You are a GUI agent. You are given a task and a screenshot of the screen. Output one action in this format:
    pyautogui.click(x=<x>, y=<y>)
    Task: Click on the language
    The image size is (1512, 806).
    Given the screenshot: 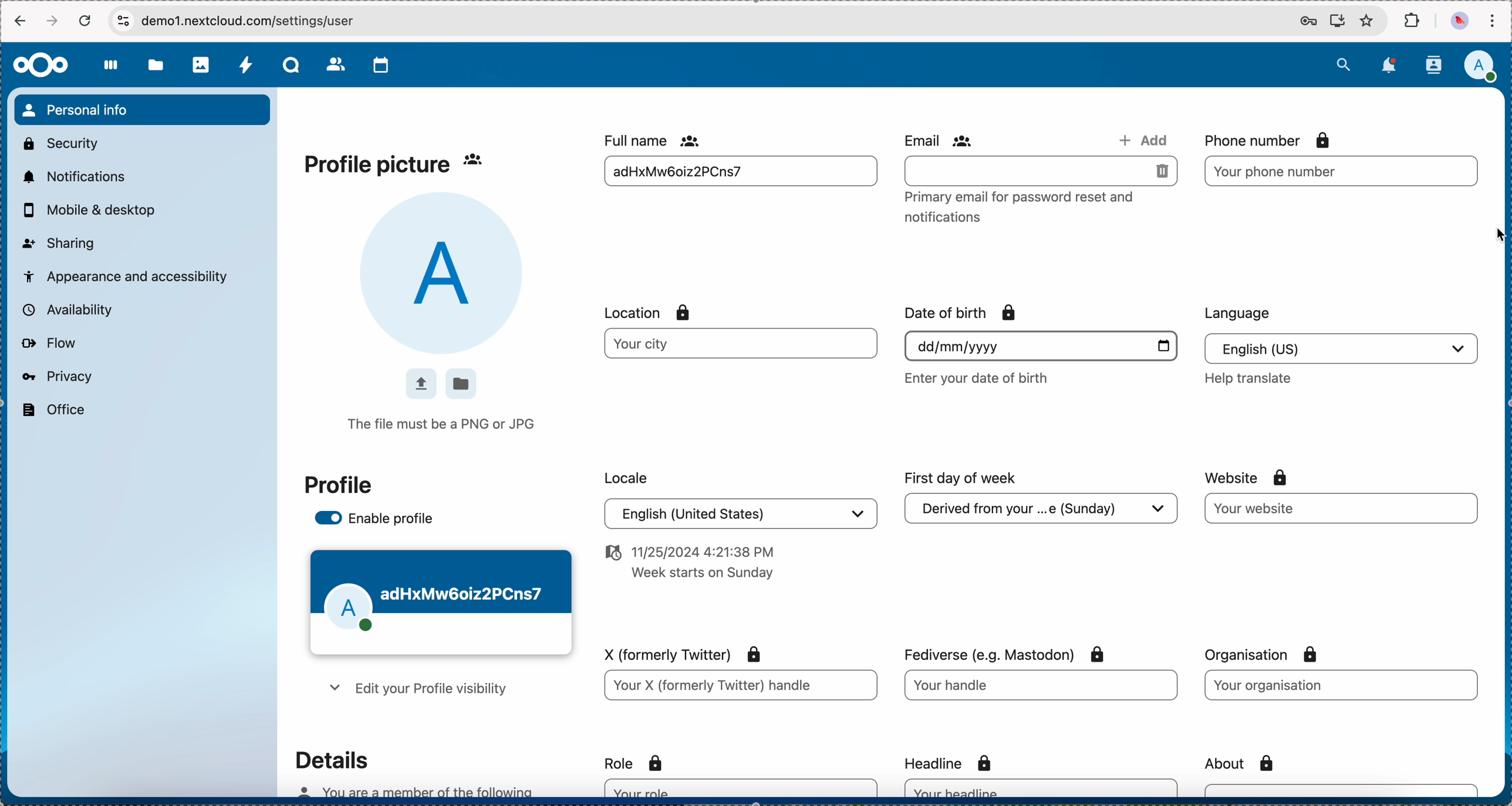 What is the action you would take?
    pyautogui.click(x=1341, y=347)
    